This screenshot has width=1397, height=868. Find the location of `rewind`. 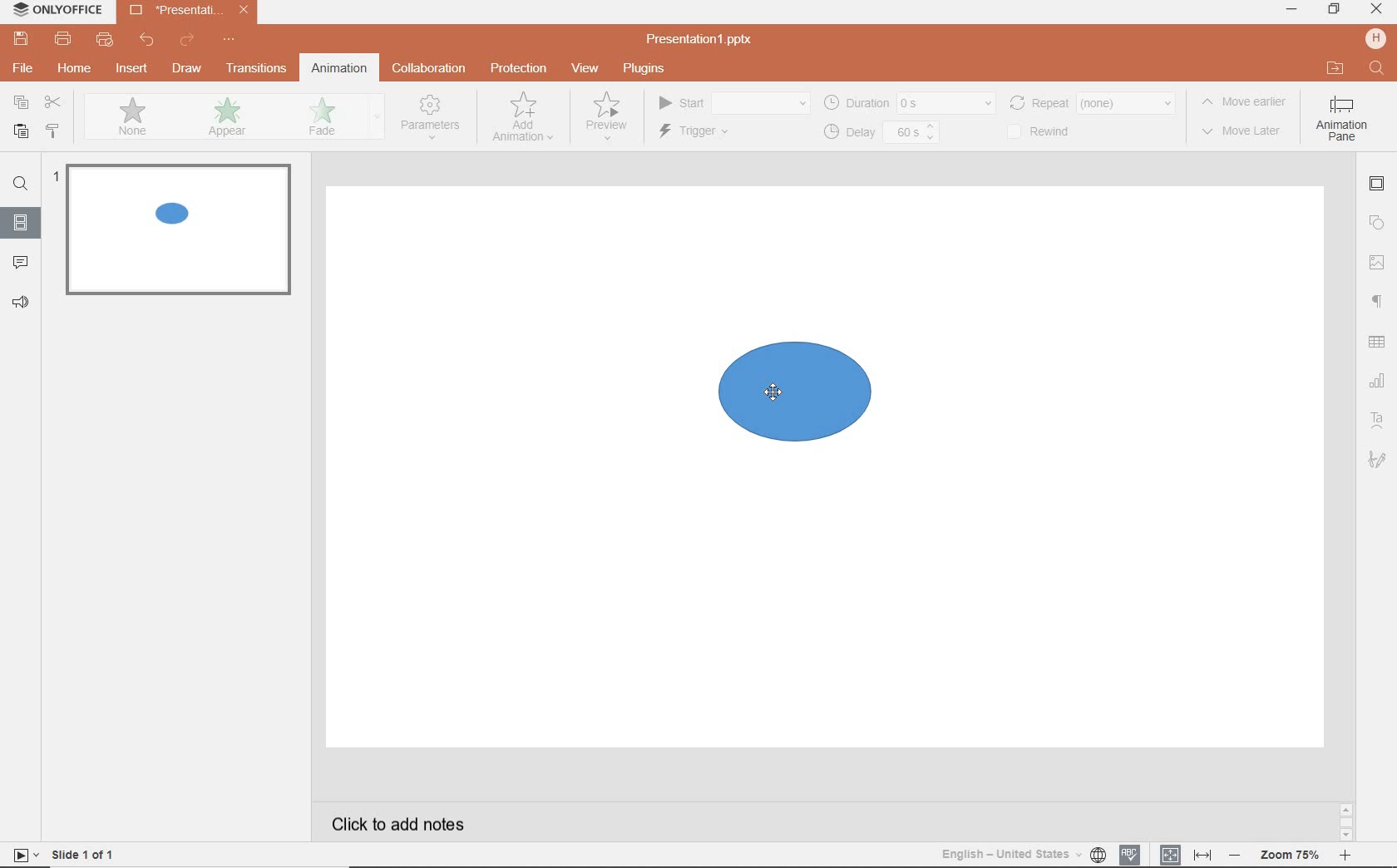

rewind is located at coordinates (1091, 101).